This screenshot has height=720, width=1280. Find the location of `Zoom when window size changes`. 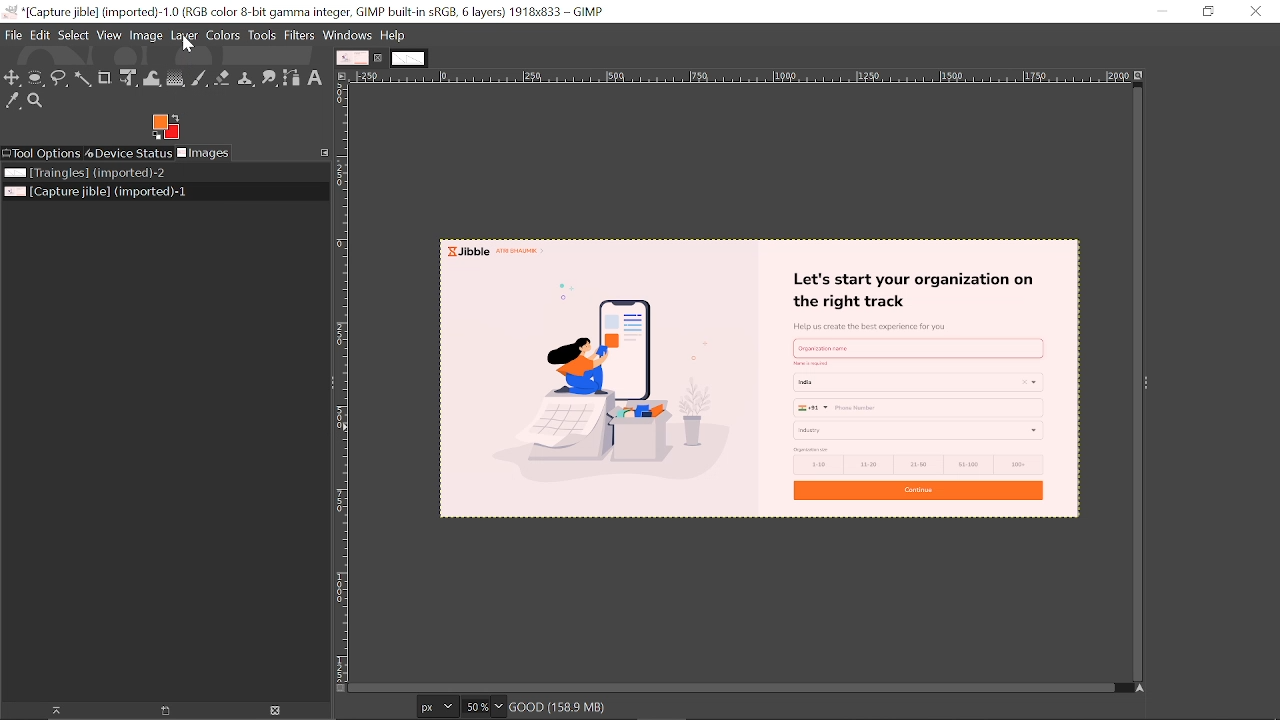

Zoom when window size changes is located at coordinates (1142, 77).